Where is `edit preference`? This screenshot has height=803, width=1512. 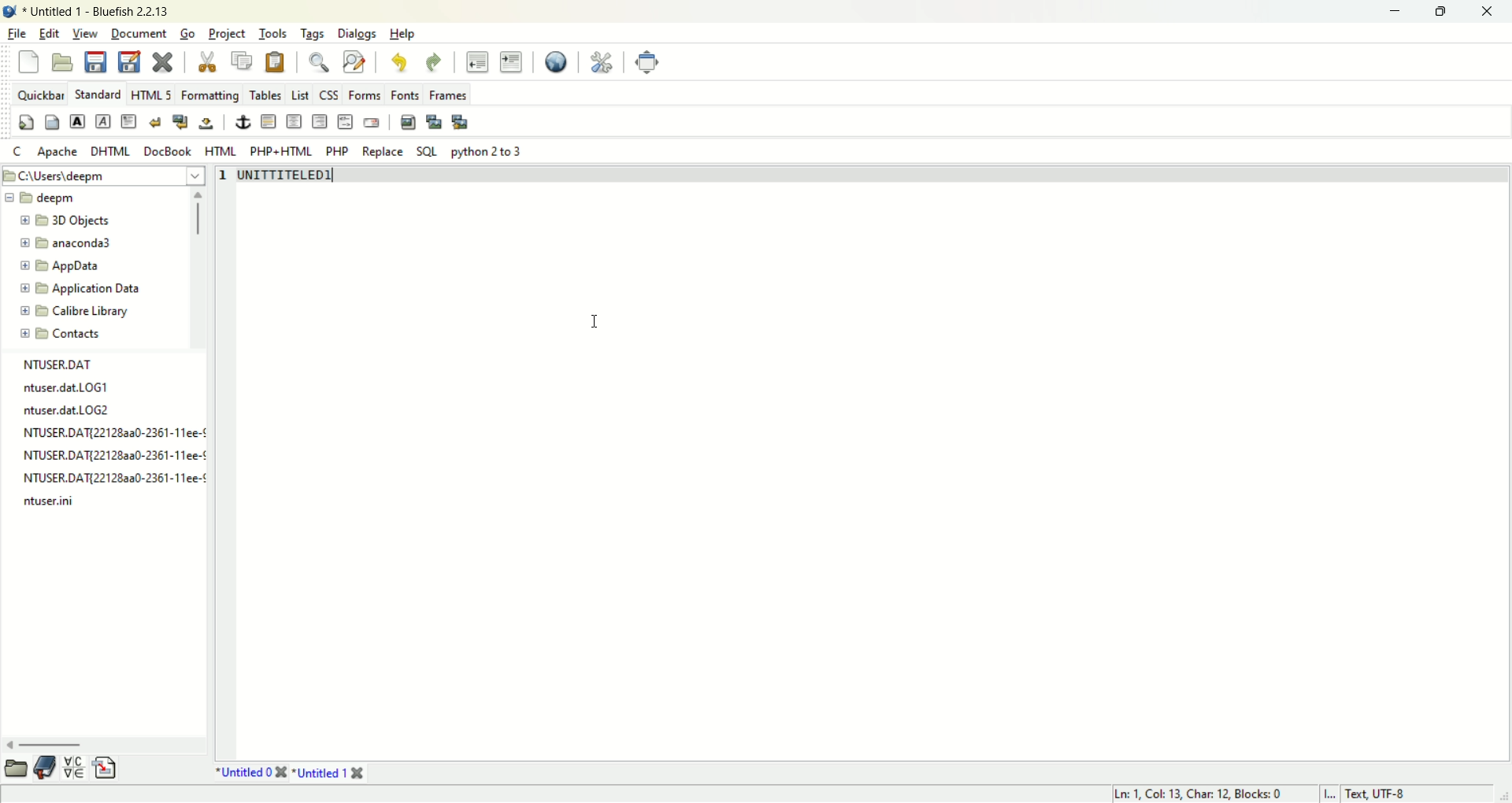
edit preference is located at coordinates (600, 61).